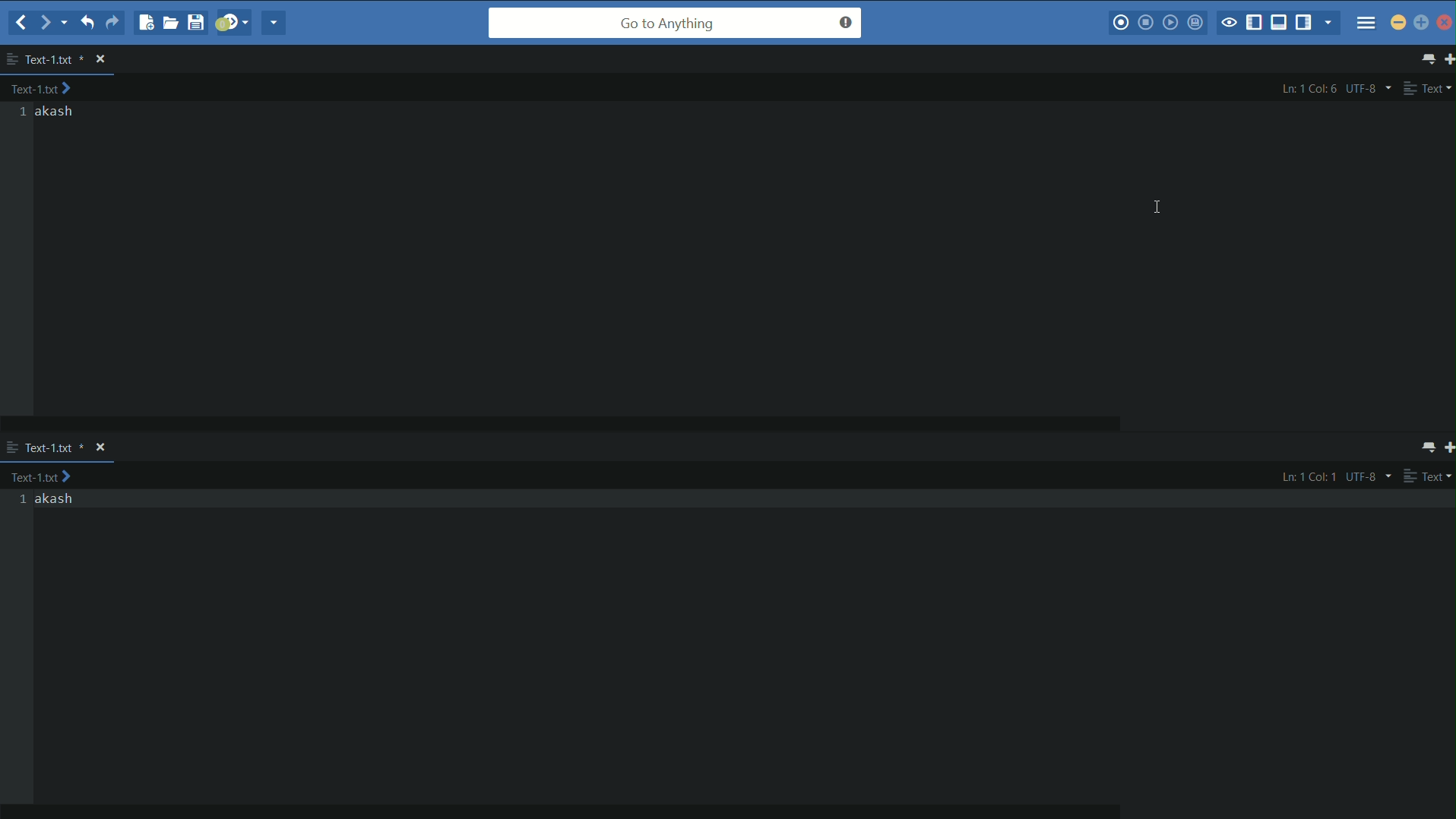 The height and width of the screenshot is (819, 1456). I want to click on text-1 file, so click(55, 60).